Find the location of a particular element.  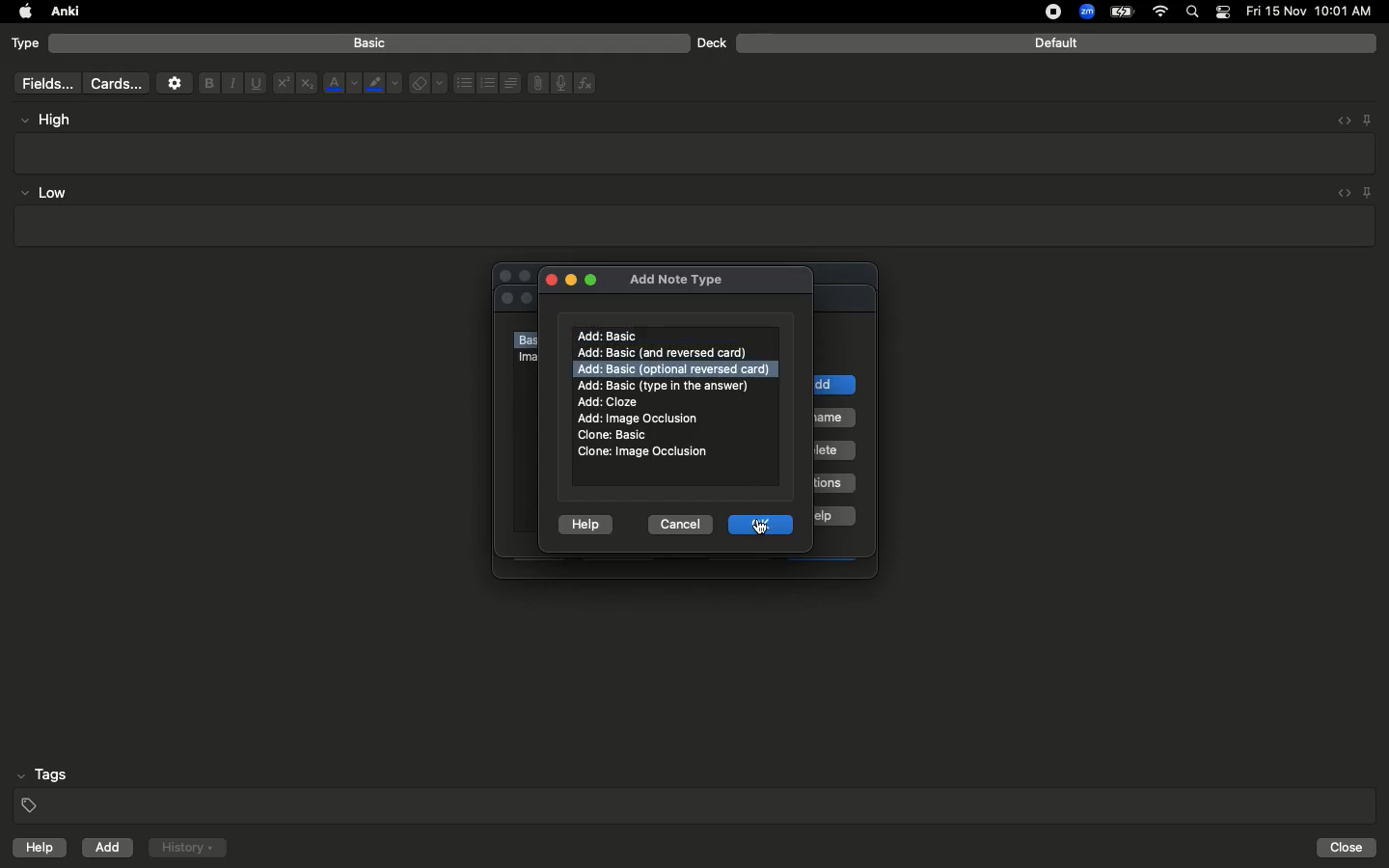

Fields is located at coordinates (43, 83).